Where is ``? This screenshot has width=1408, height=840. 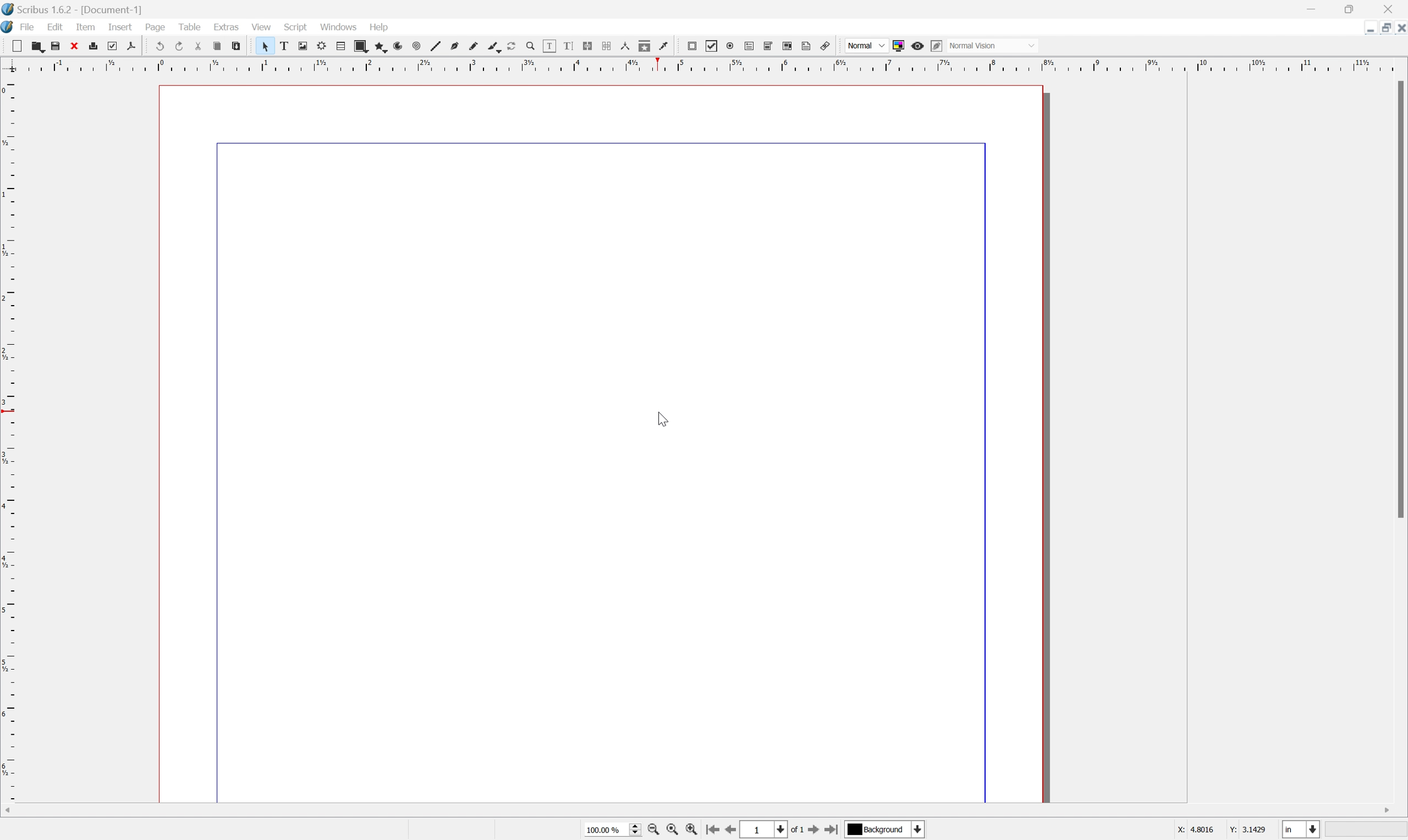  is located at coordinates (751, 46).